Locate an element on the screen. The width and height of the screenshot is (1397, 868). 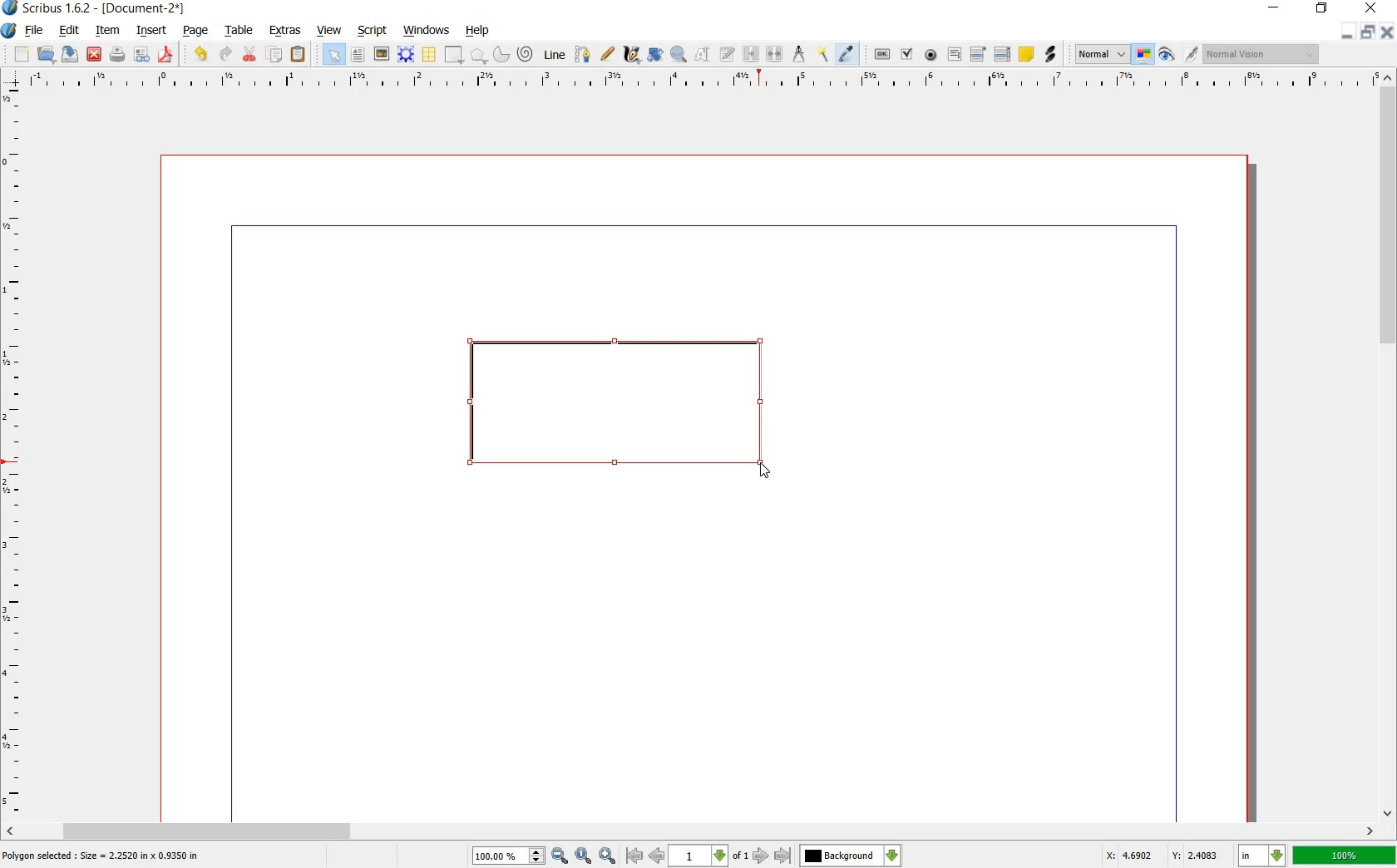
EDIT TEXT WITH STORY EDITOR is located at coordinates (728, 55).